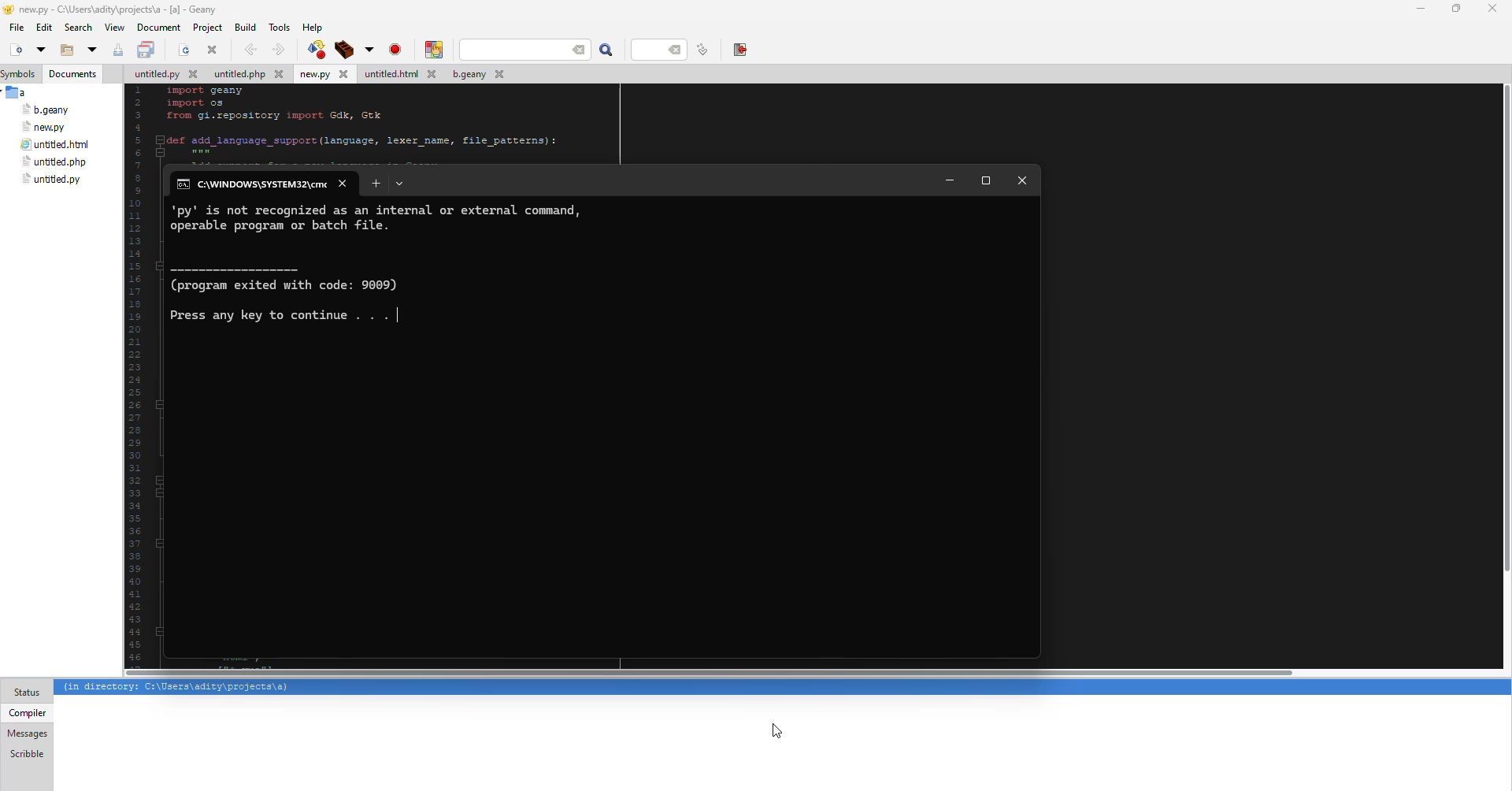  I want to click on new, so click(16, 50).